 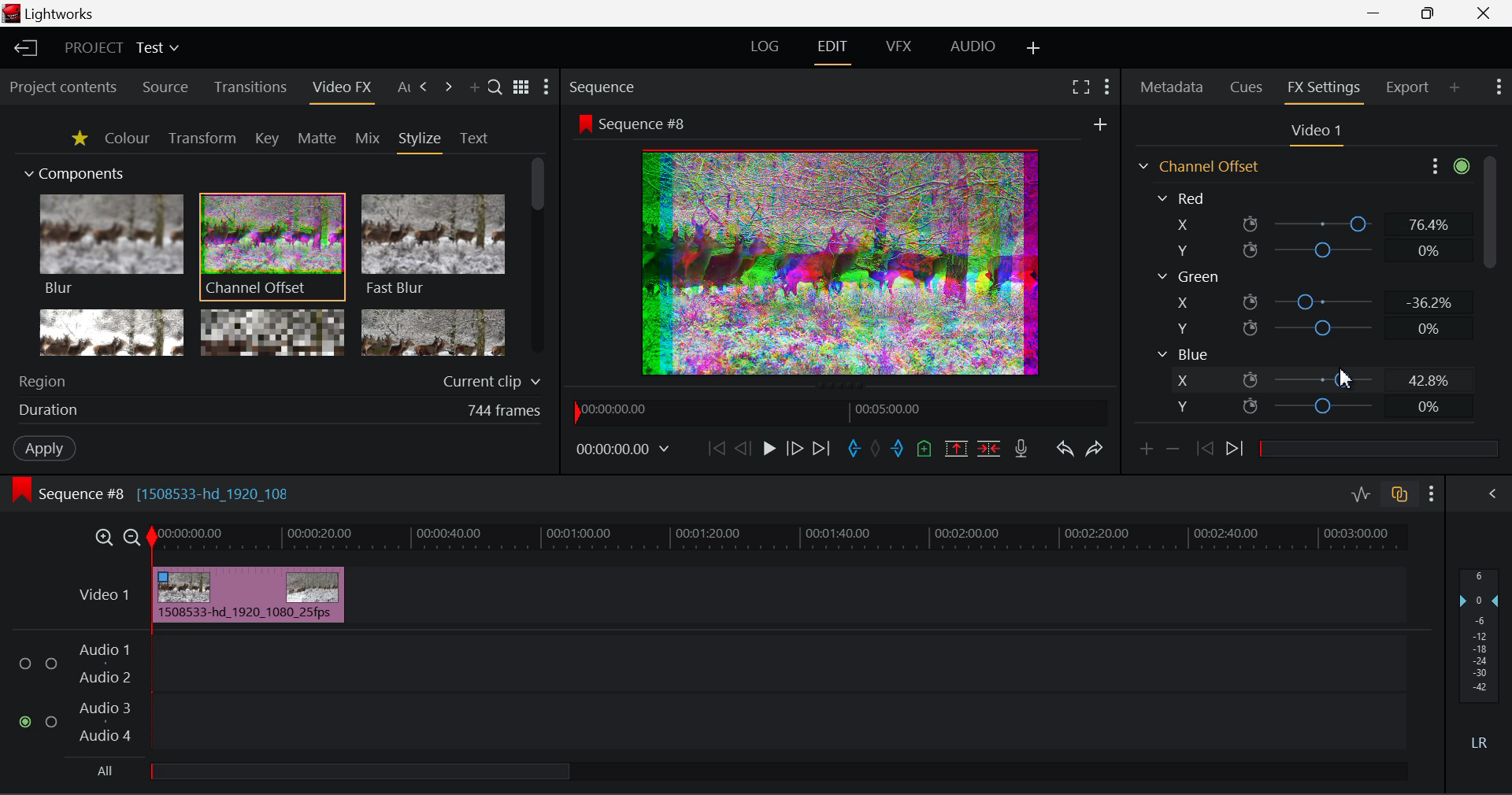 I want to click on Cues, so click(x=1246, y=87).